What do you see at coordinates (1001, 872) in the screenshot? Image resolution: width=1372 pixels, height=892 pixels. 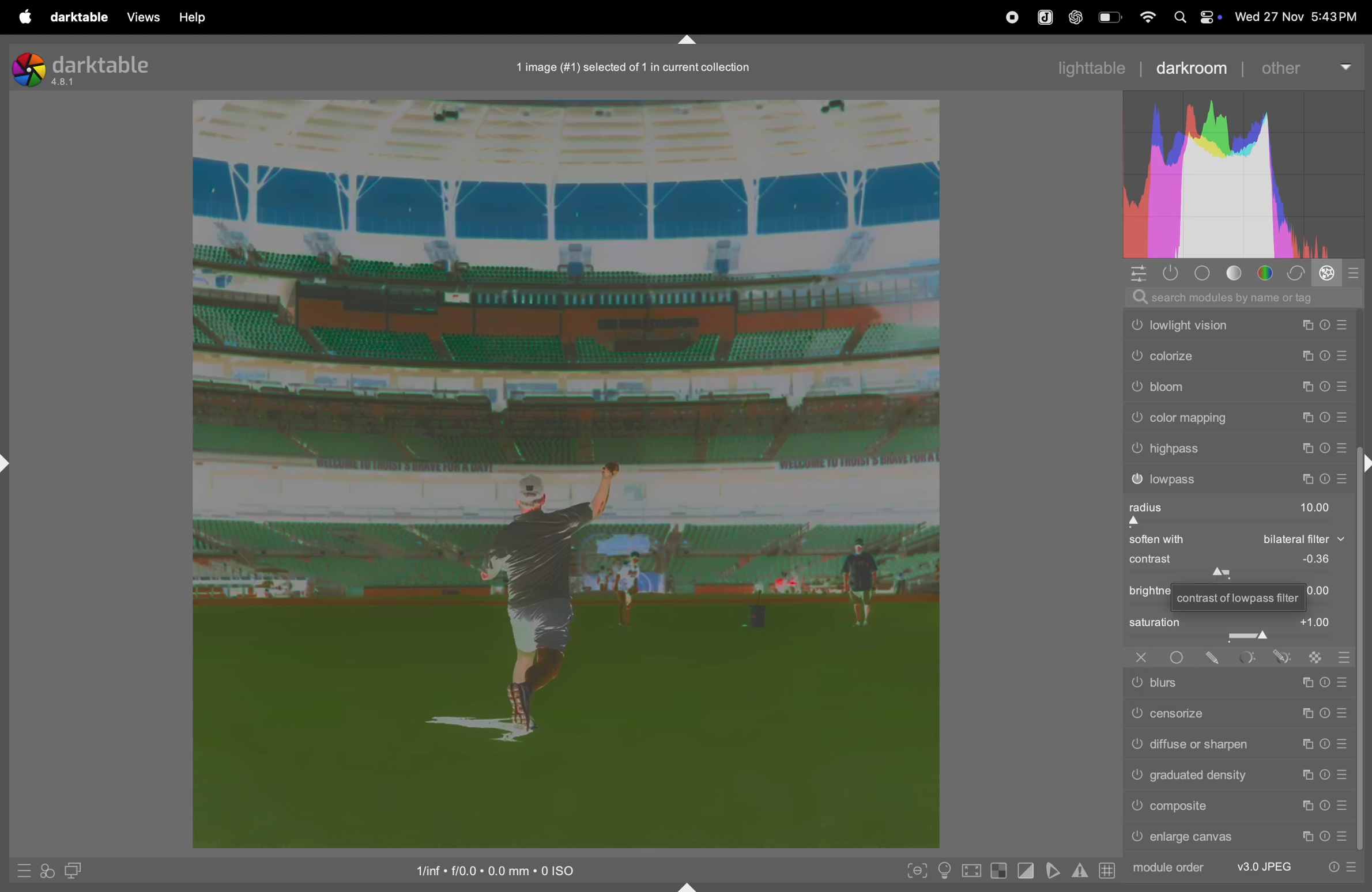 I see `toggle indication over exposure` at bounding box center [1001, 872].